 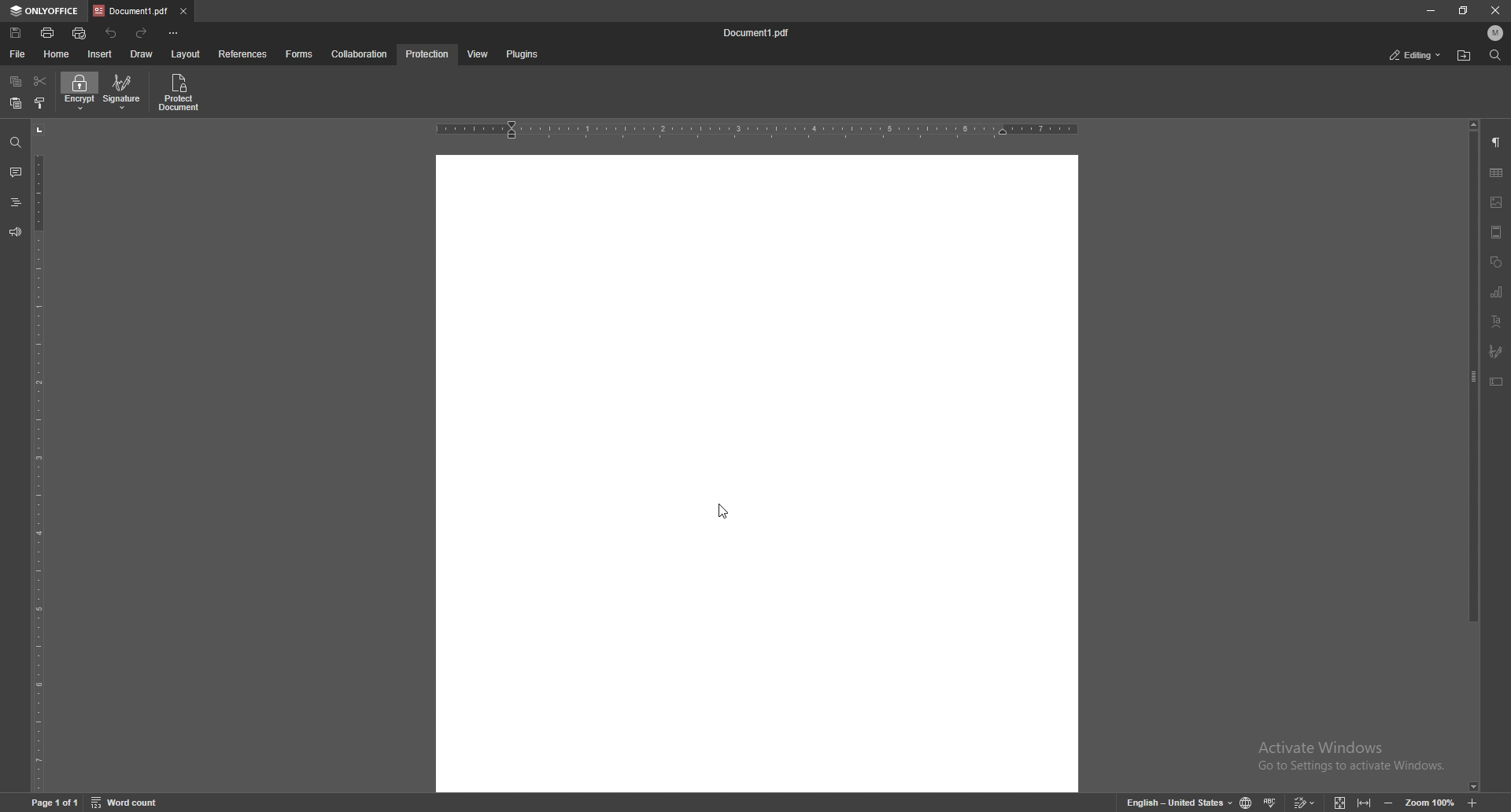 I want to click on view, so click(x=478, y=54).